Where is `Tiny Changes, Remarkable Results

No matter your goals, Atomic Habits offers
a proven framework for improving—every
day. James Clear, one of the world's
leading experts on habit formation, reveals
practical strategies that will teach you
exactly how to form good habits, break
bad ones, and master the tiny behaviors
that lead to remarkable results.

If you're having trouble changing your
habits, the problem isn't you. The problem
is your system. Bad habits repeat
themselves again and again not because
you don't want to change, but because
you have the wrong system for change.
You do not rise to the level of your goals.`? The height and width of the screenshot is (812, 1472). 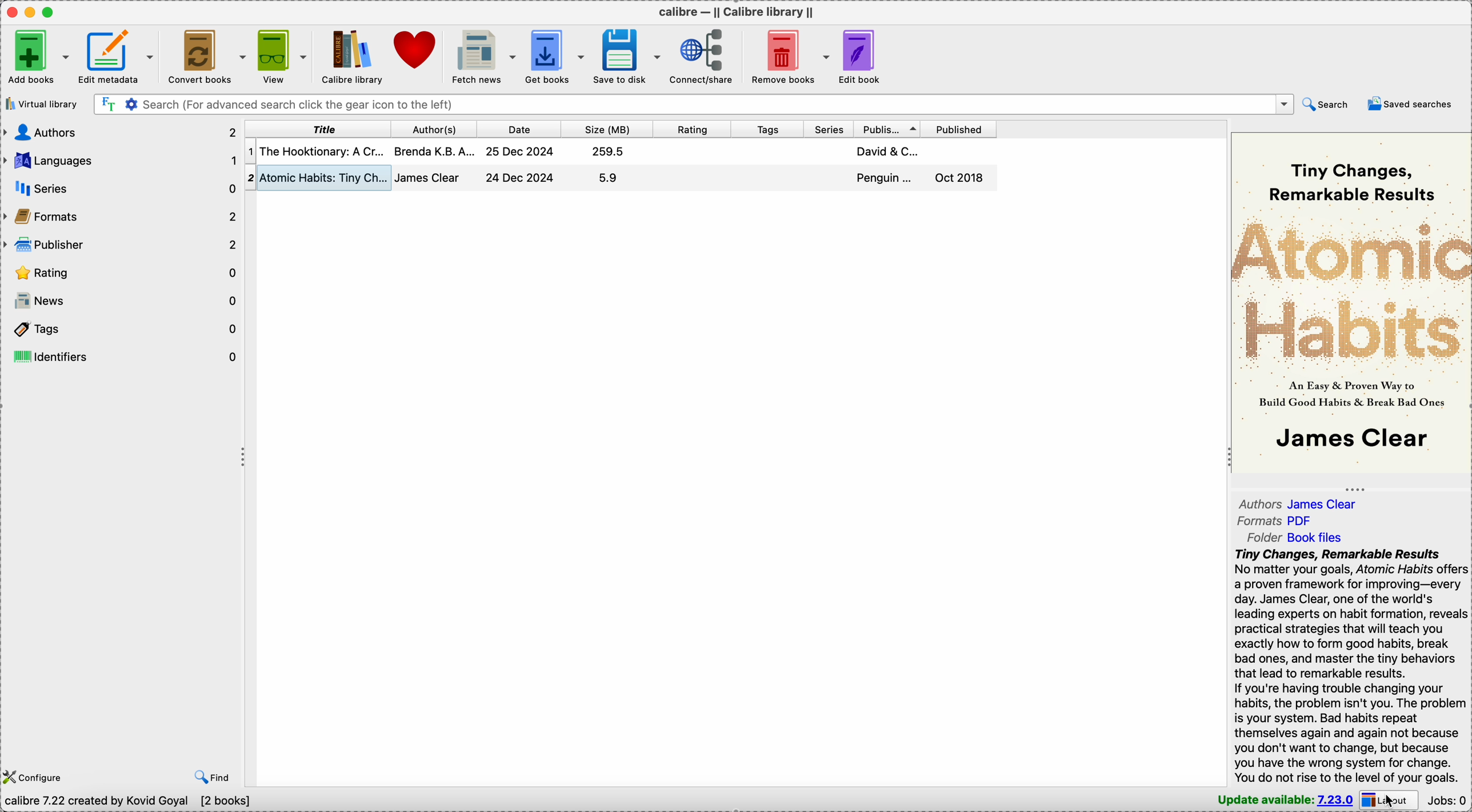
Tiny Changes, Remarkable Results

No matter your goals, Atomic Habits offers
a proven framework for improving—every
day. James Clear, one of the world's
leading experts on habit formation, reveals
practical strategies that will teach you
exactly how to form good habits, break
bad ones, and master the tiny behaviors
that lead to remarkable results.

If you're having trouble changing your
habits, the problem isn't you. The problem
is your system. Bad habits repeat
themselves again and again not because
you don't want to change, but because
you have the wrong system for change.
You do not rise to the level of your goals. is located at coordinates (1348, 666).